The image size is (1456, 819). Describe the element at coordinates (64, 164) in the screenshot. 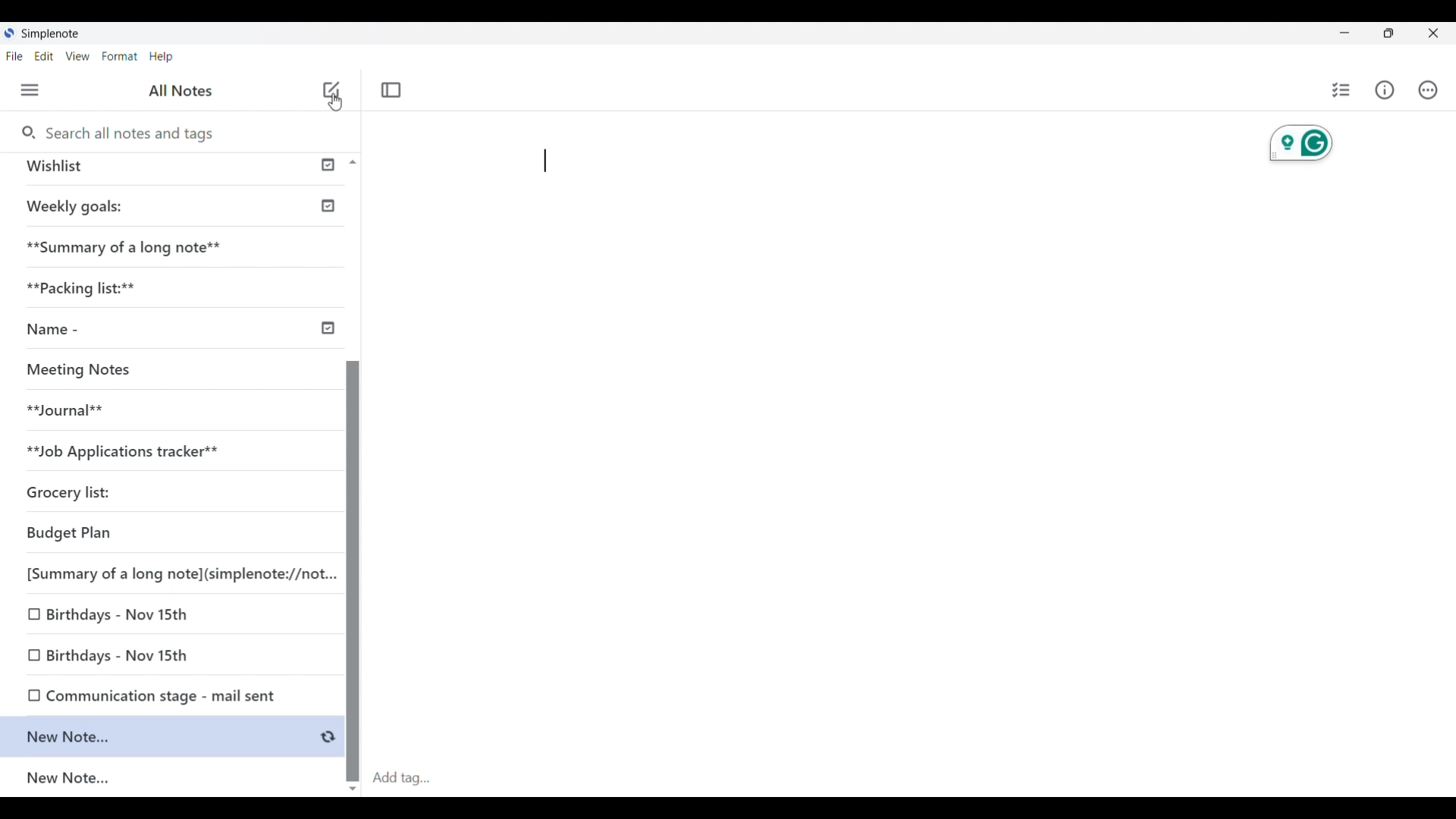

I see `Wishlist` at that location.